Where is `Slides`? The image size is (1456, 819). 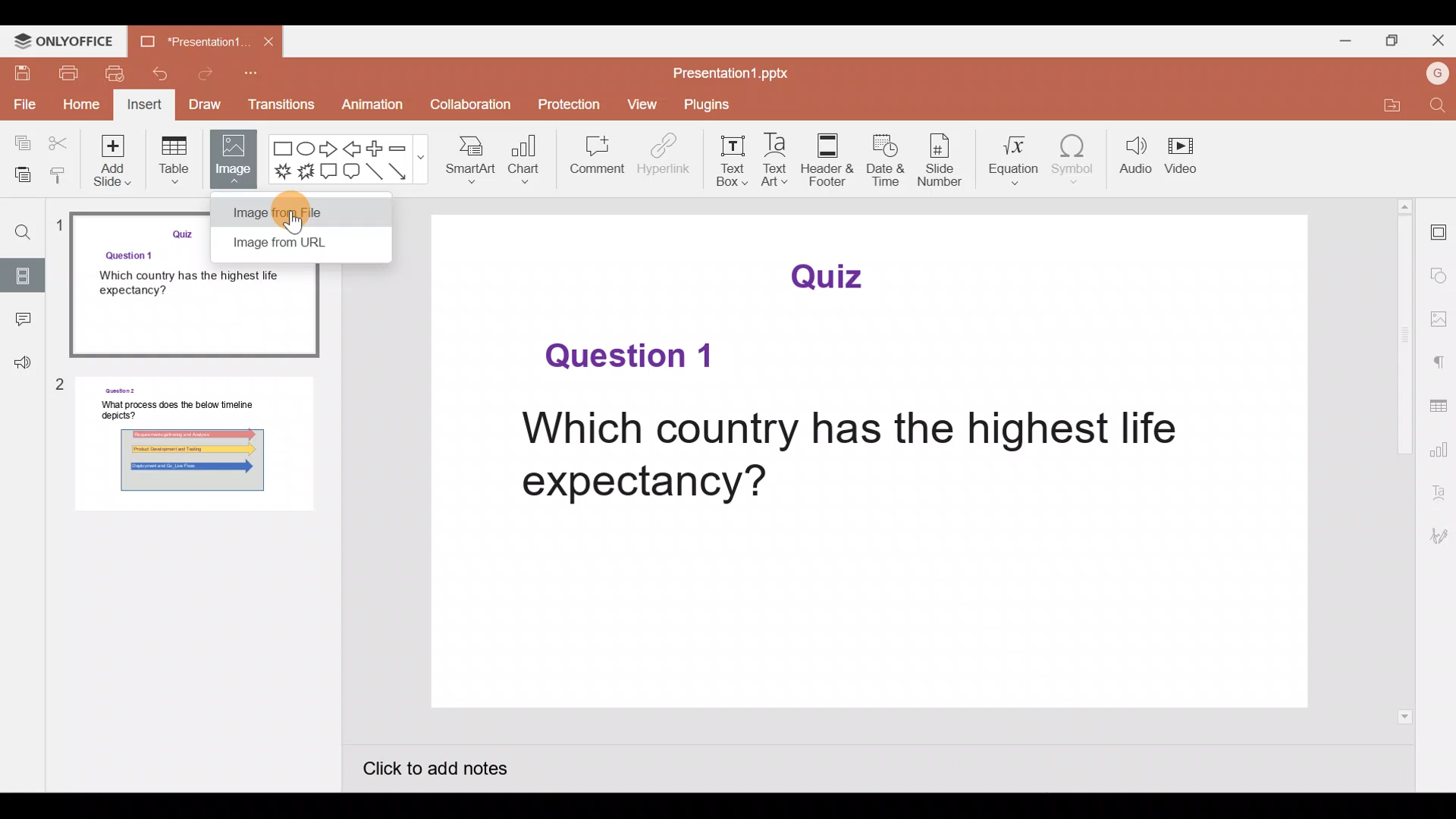
Slides is located at coordinates (24, 275).